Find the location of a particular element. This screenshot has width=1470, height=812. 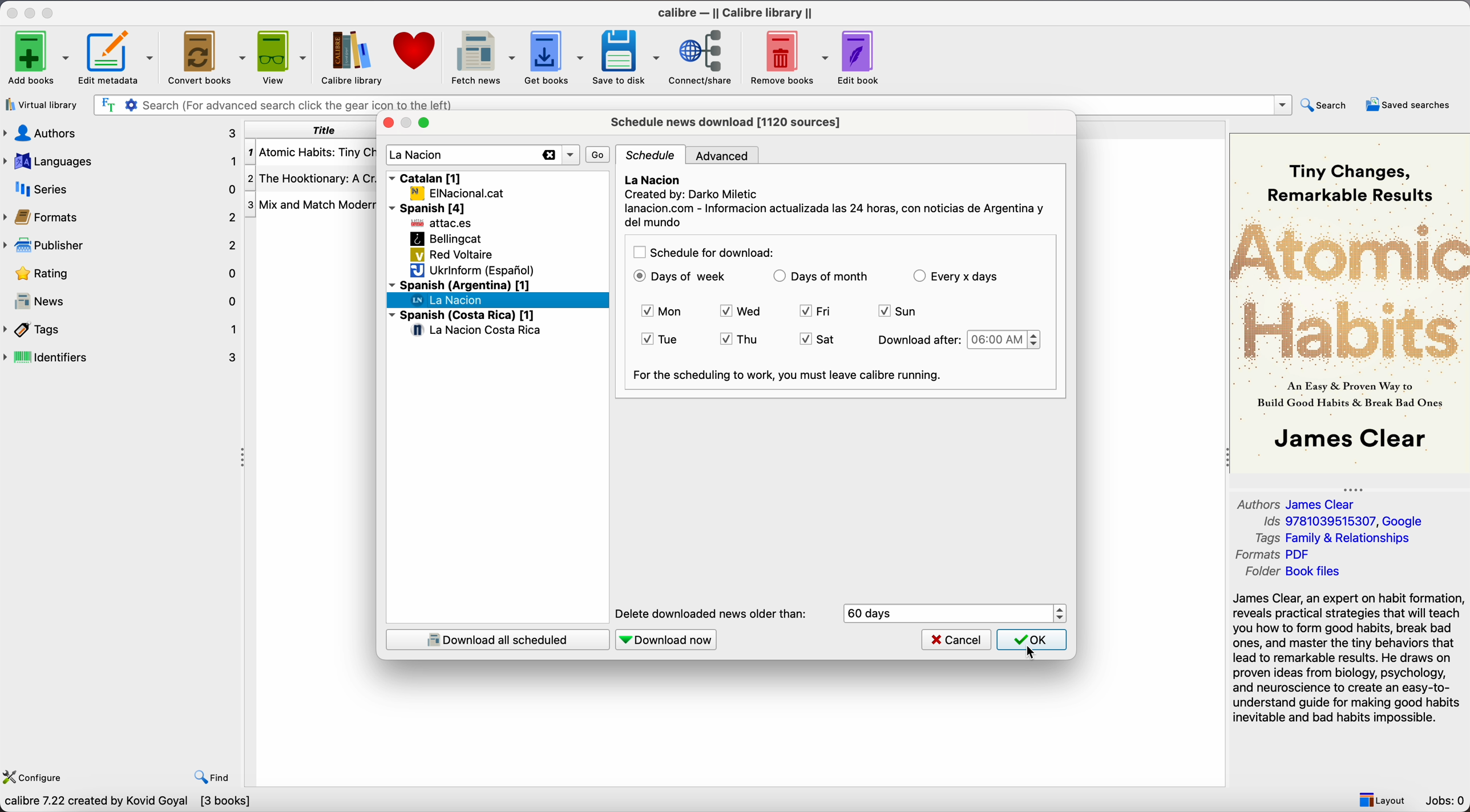

remove books is located at coordinates (788, 56).